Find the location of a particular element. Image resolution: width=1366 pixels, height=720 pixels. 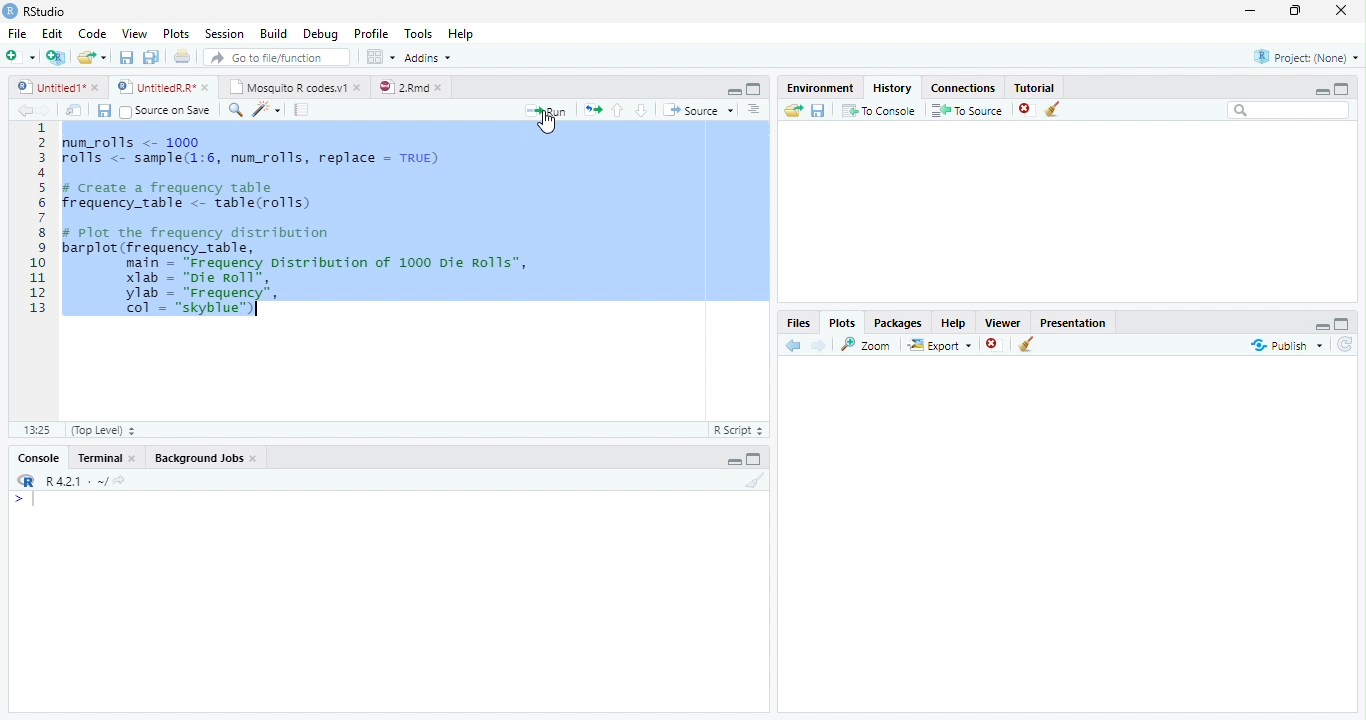

Refresh List is located at coordinates (1344, 345).